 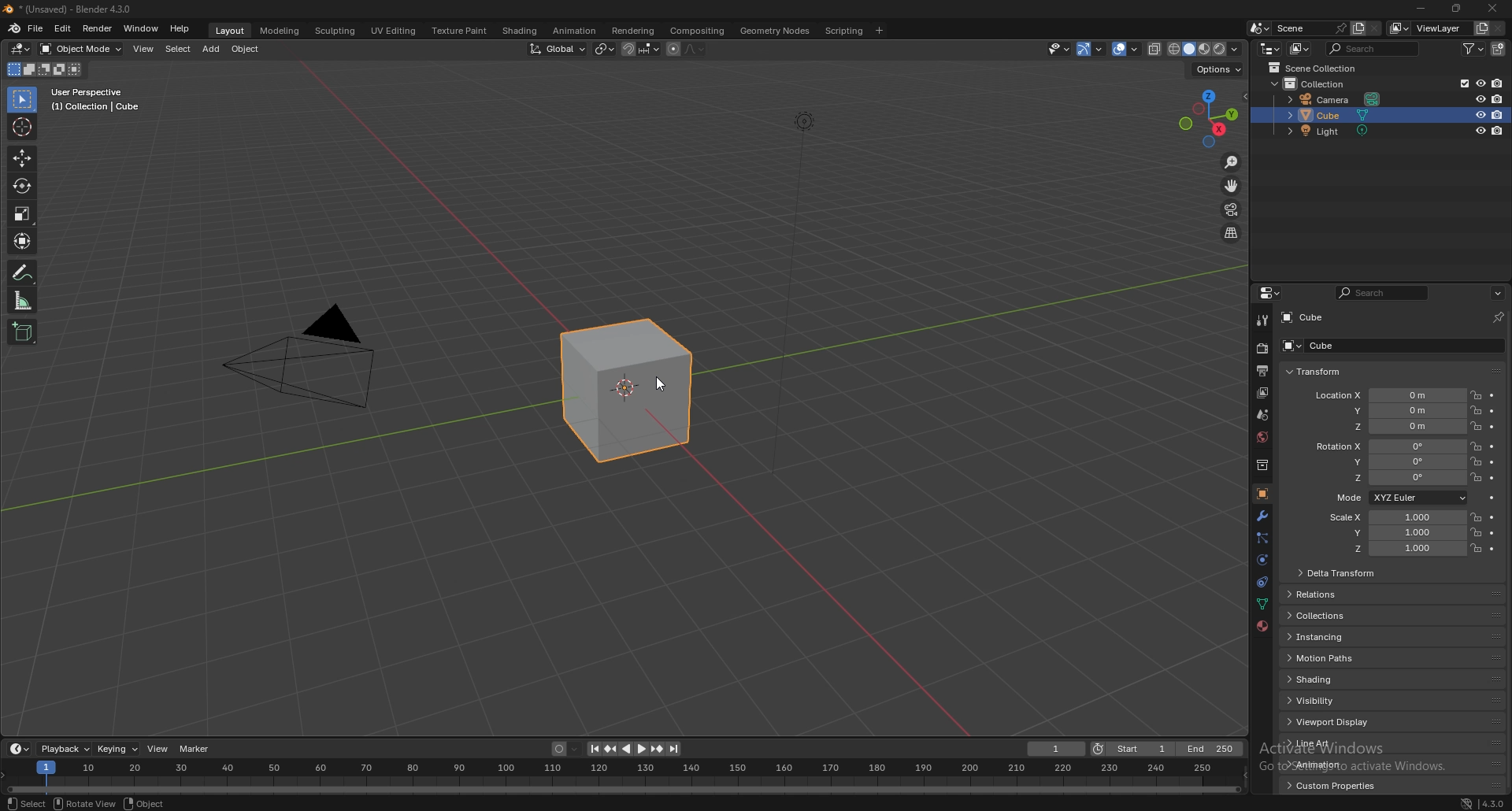 I want to click on options, so click(x=1497, y=292).